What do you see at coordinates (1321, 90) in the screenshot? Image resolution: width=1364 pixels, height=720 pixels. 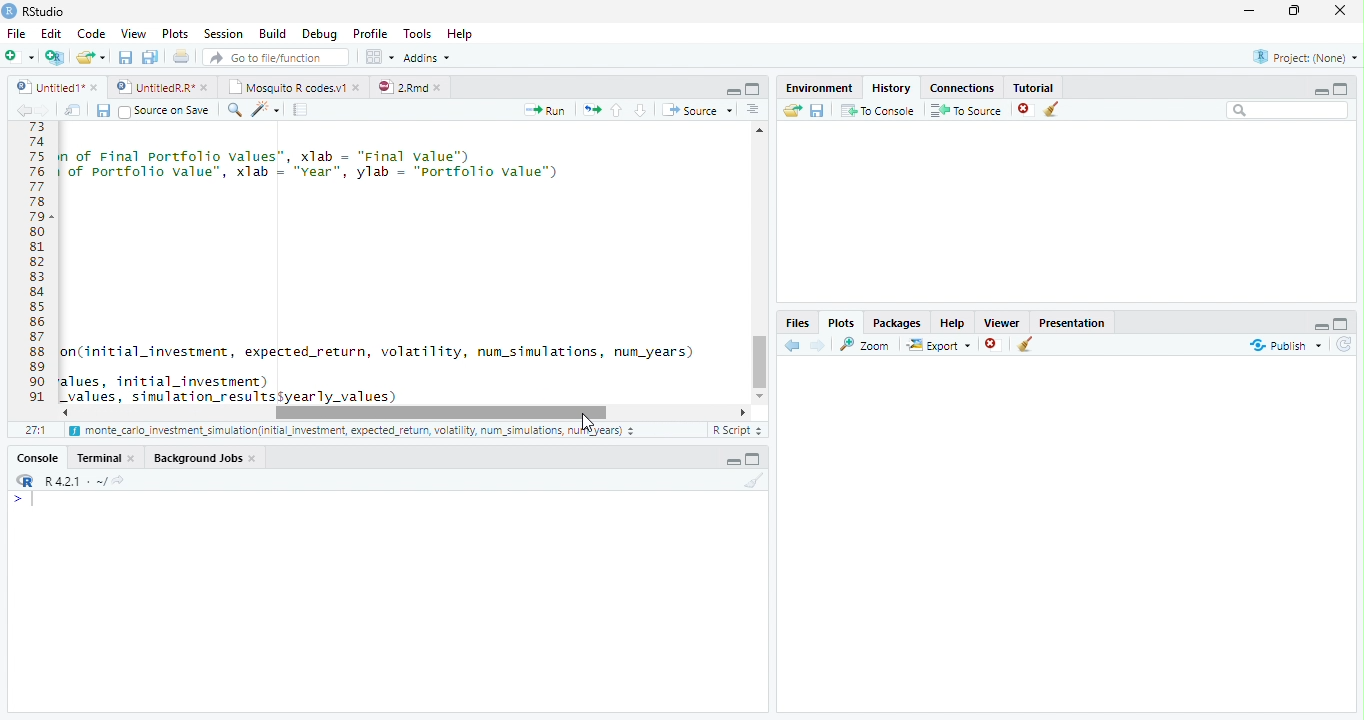 I see `Hide` at bounding box center [1321, 90].